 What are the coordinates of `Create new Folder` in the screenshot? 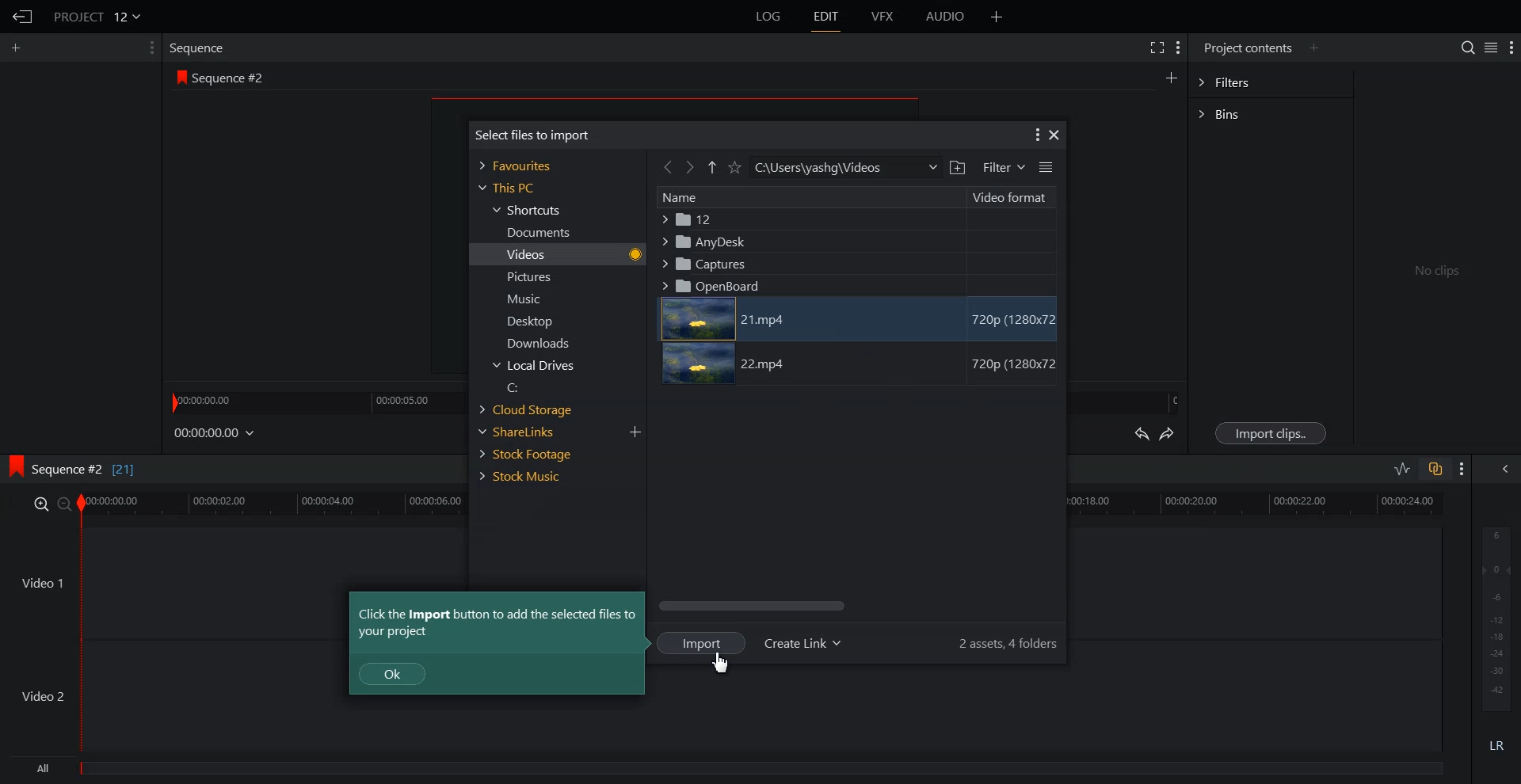 It's located at (957, 168).